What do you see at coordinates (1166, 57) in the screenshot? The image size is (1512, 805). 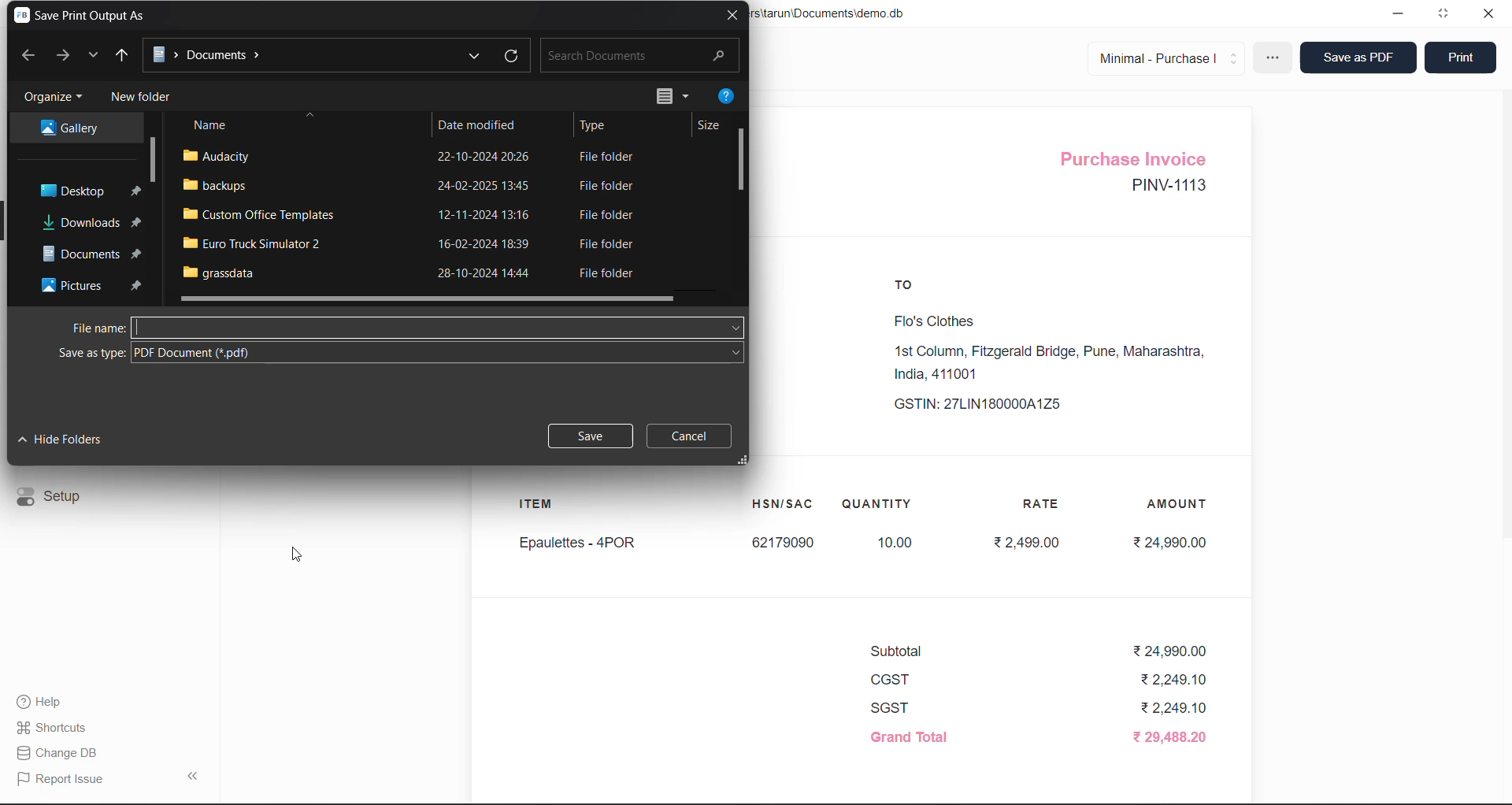 I see `Minimal - Purchase |` at bounding box center [1166, 57].